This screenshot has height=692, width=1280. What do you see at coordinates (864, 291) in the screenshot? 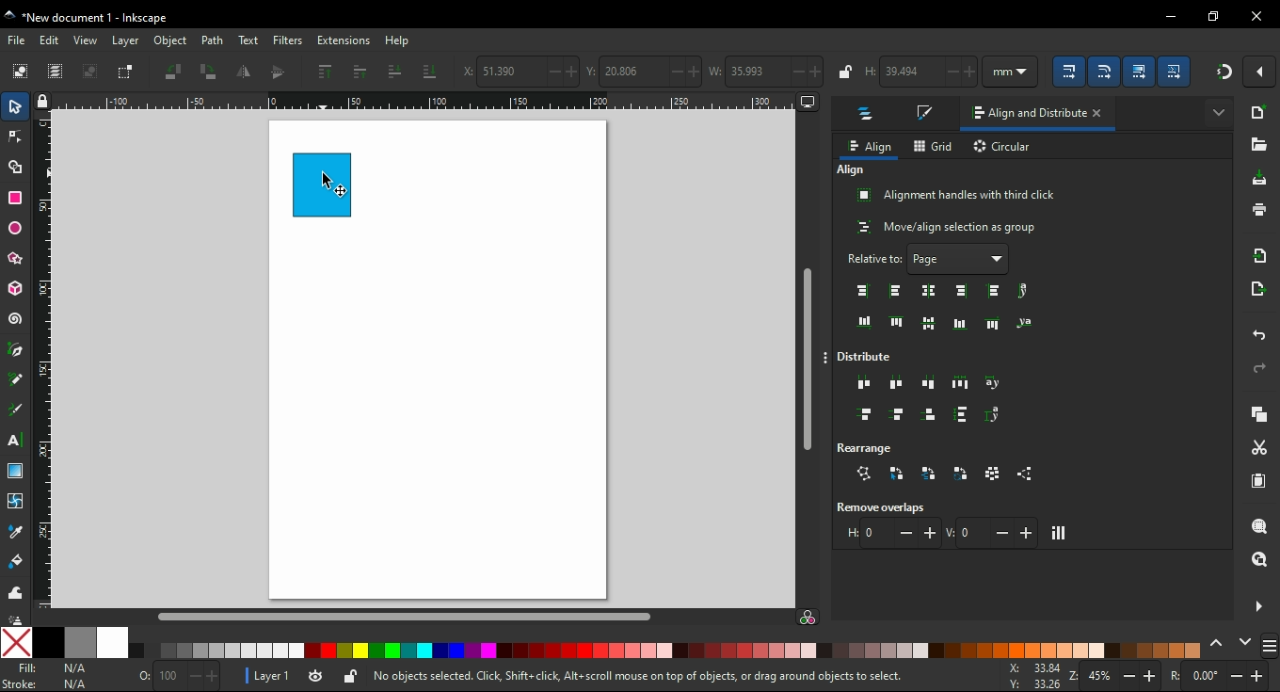
I see `align right edge of objects to left edge of anchor` at bounding box center [864, 291].